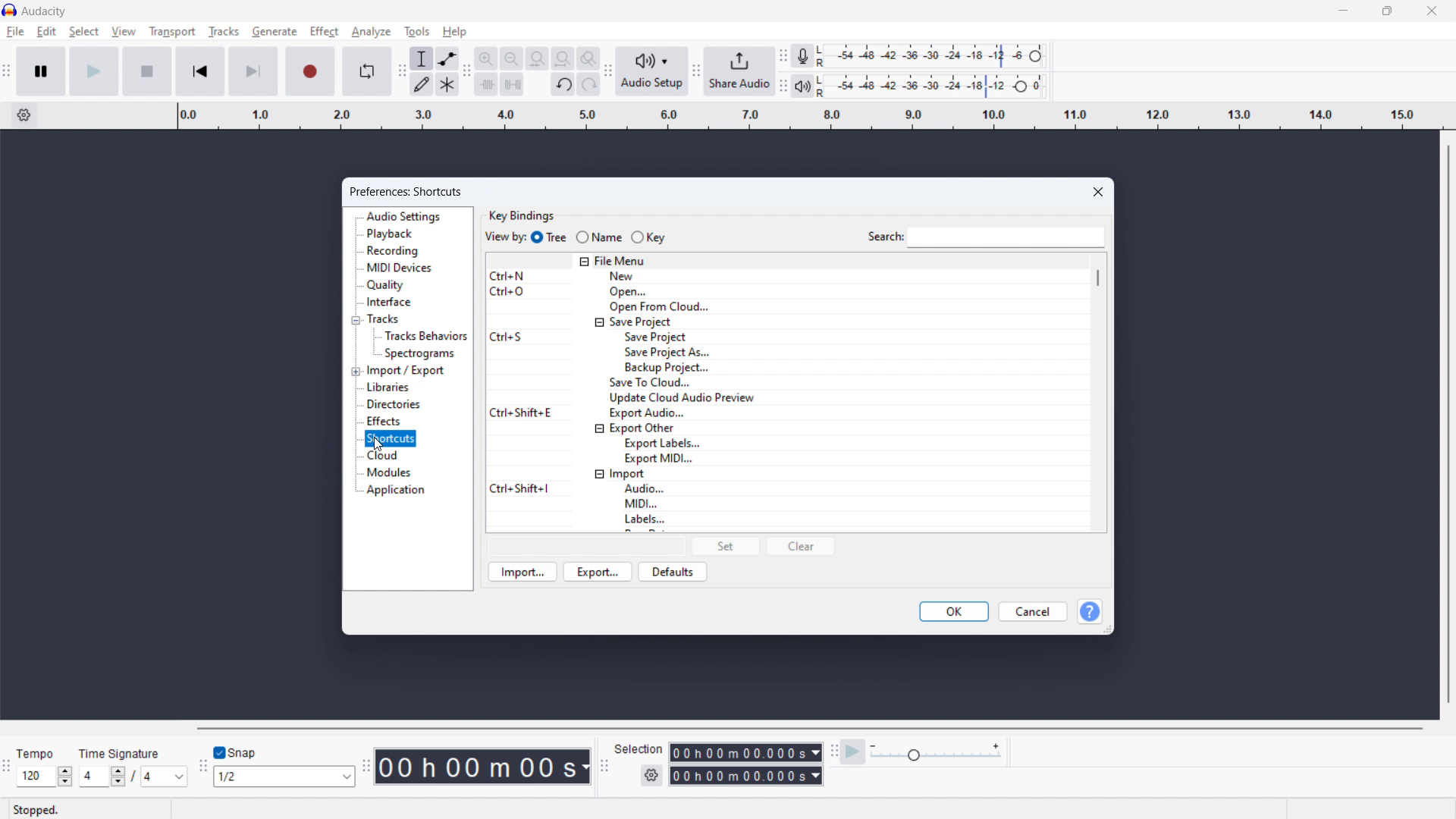  I want to click on share audio, so click(740, 71).